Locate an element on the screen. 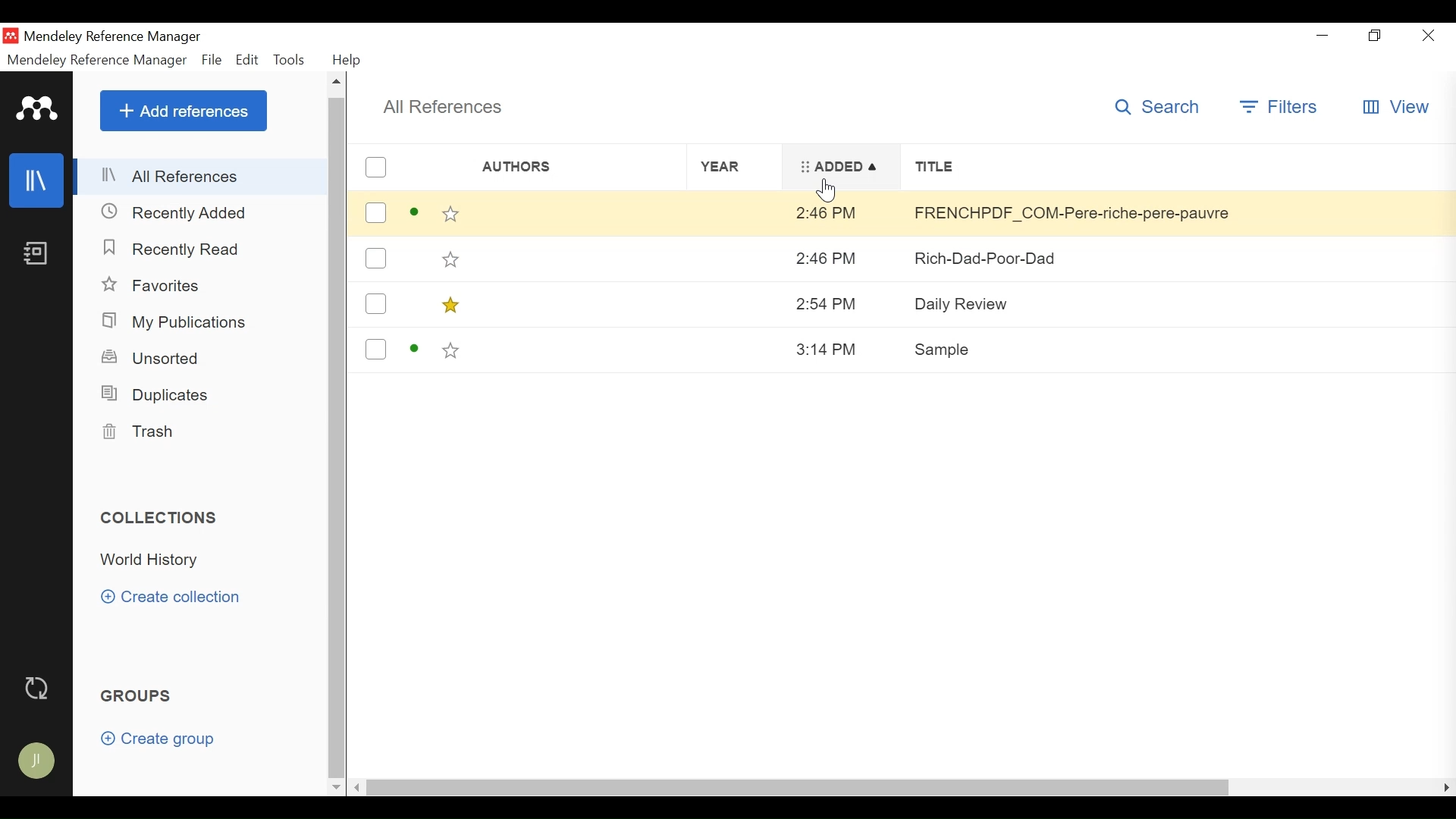 The width and height of the screenshot is (1456, 819). Mendeley Logo is located at coordinates (39, 111).